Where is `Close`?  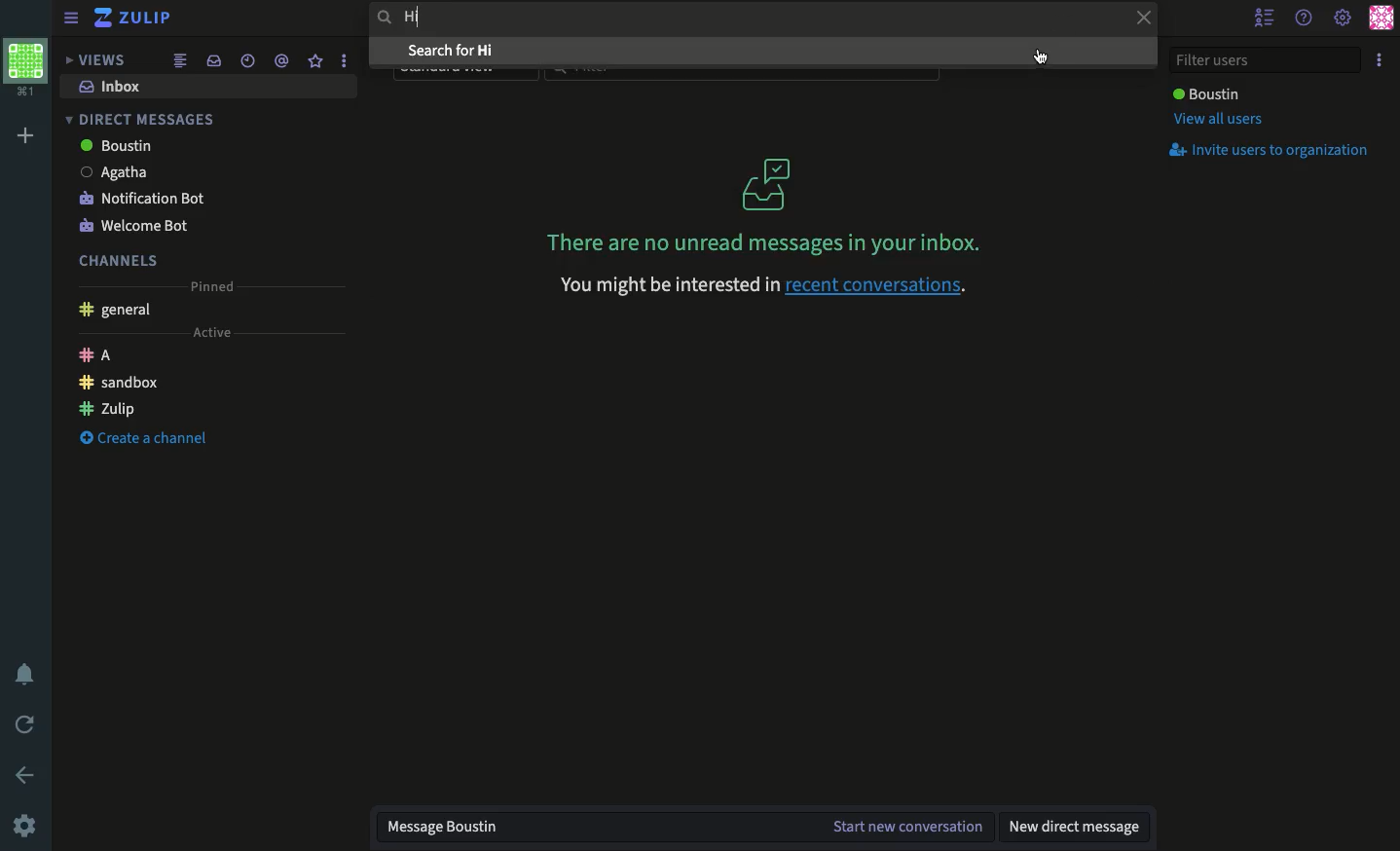 Close is located at coordinates (1137, 19).